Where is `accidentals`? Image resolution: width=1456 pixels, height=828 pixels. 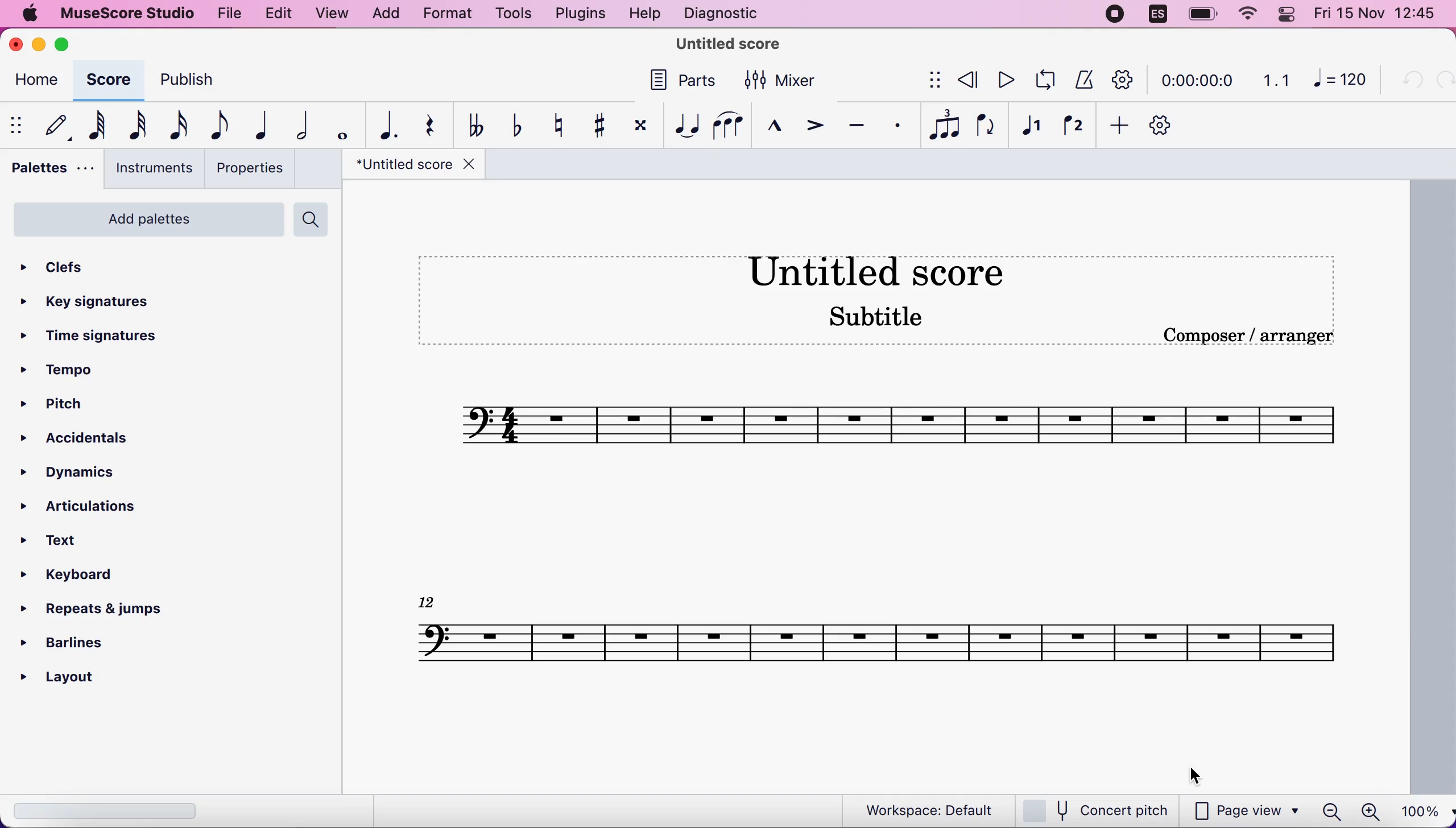
accidentals is located at coordinates (77, 438).